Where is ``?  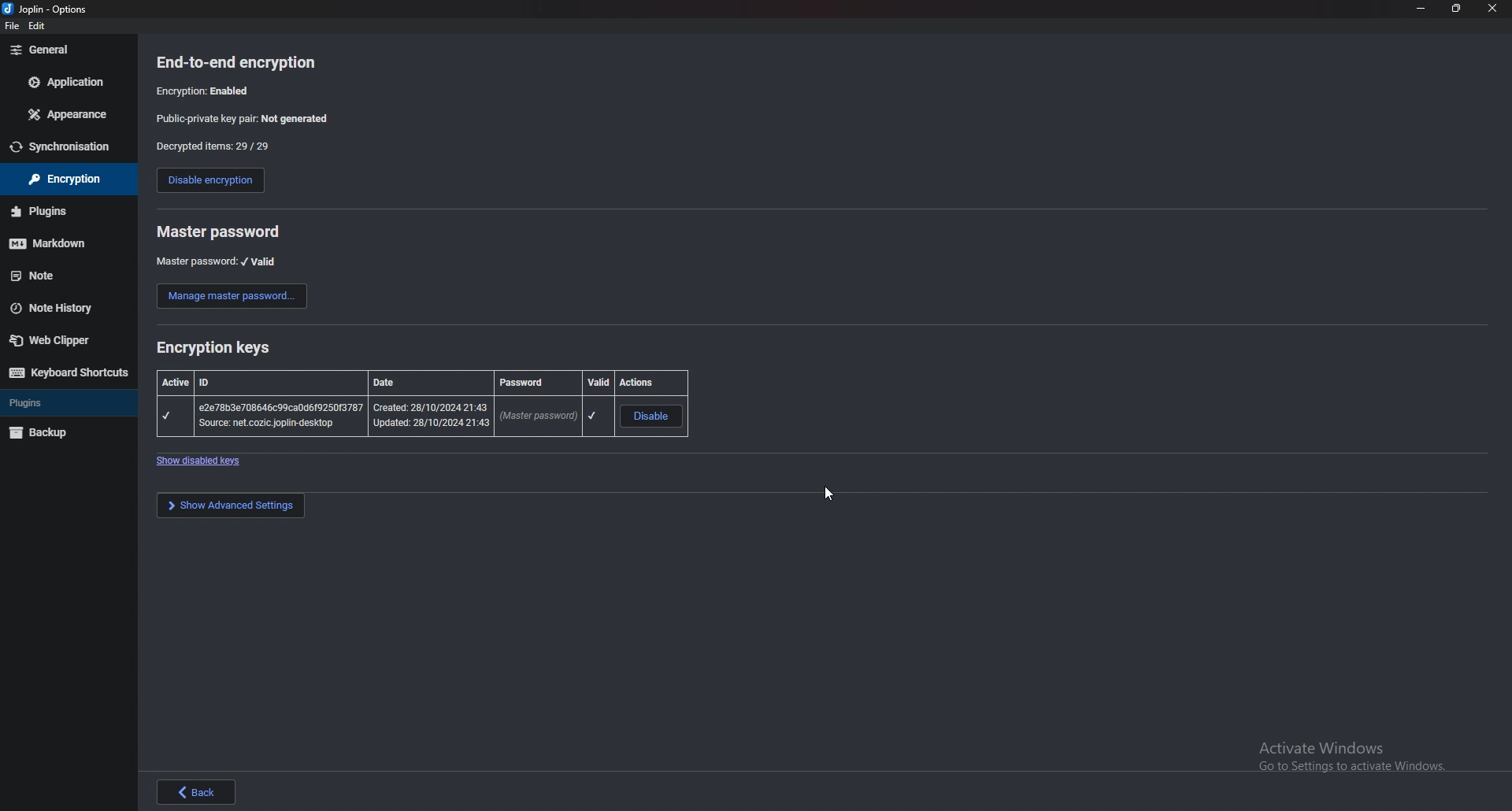
 is located at coordinates (55, 343).